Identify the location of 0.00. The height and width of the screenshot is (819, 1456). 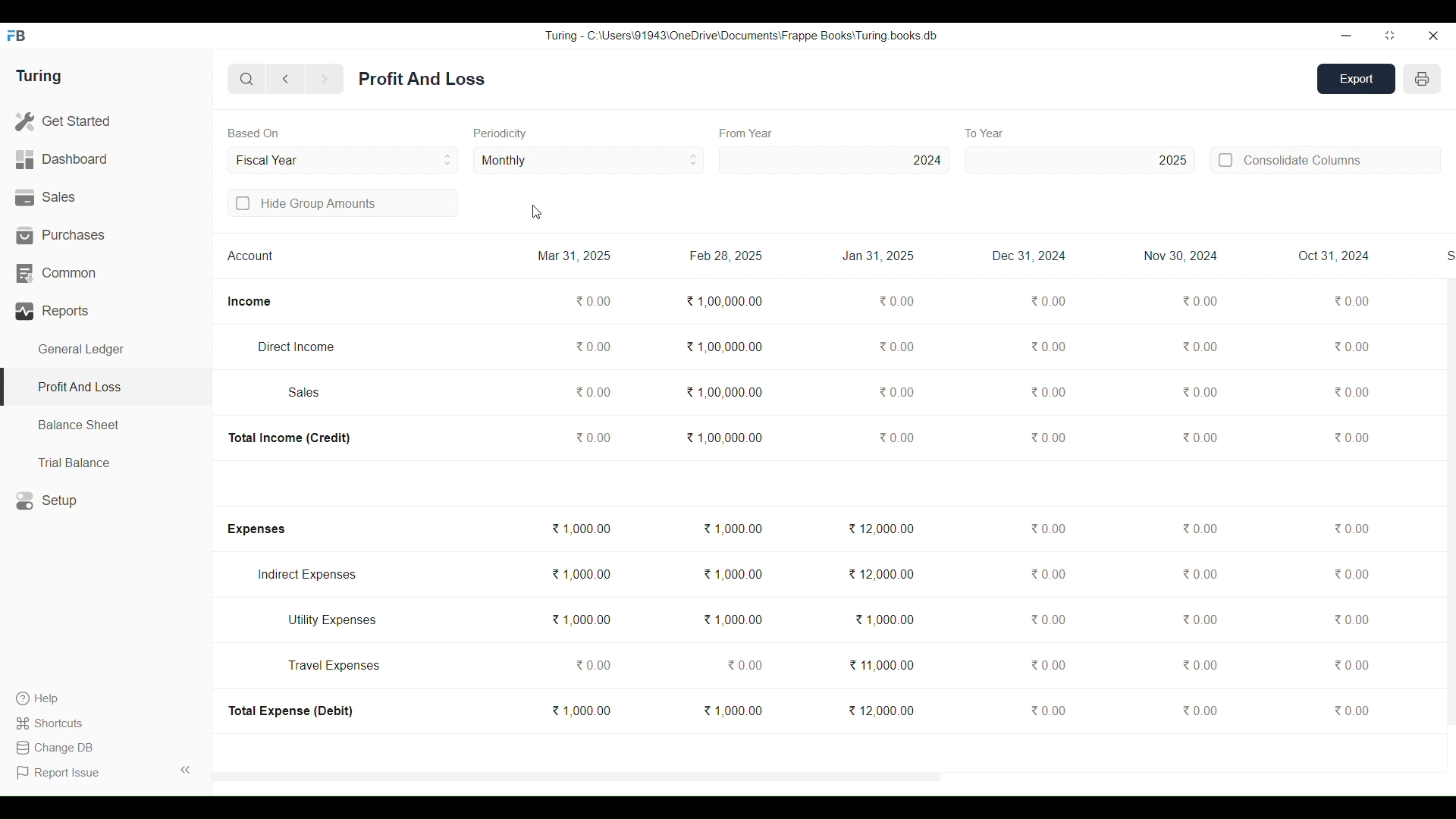
(1199, 711).